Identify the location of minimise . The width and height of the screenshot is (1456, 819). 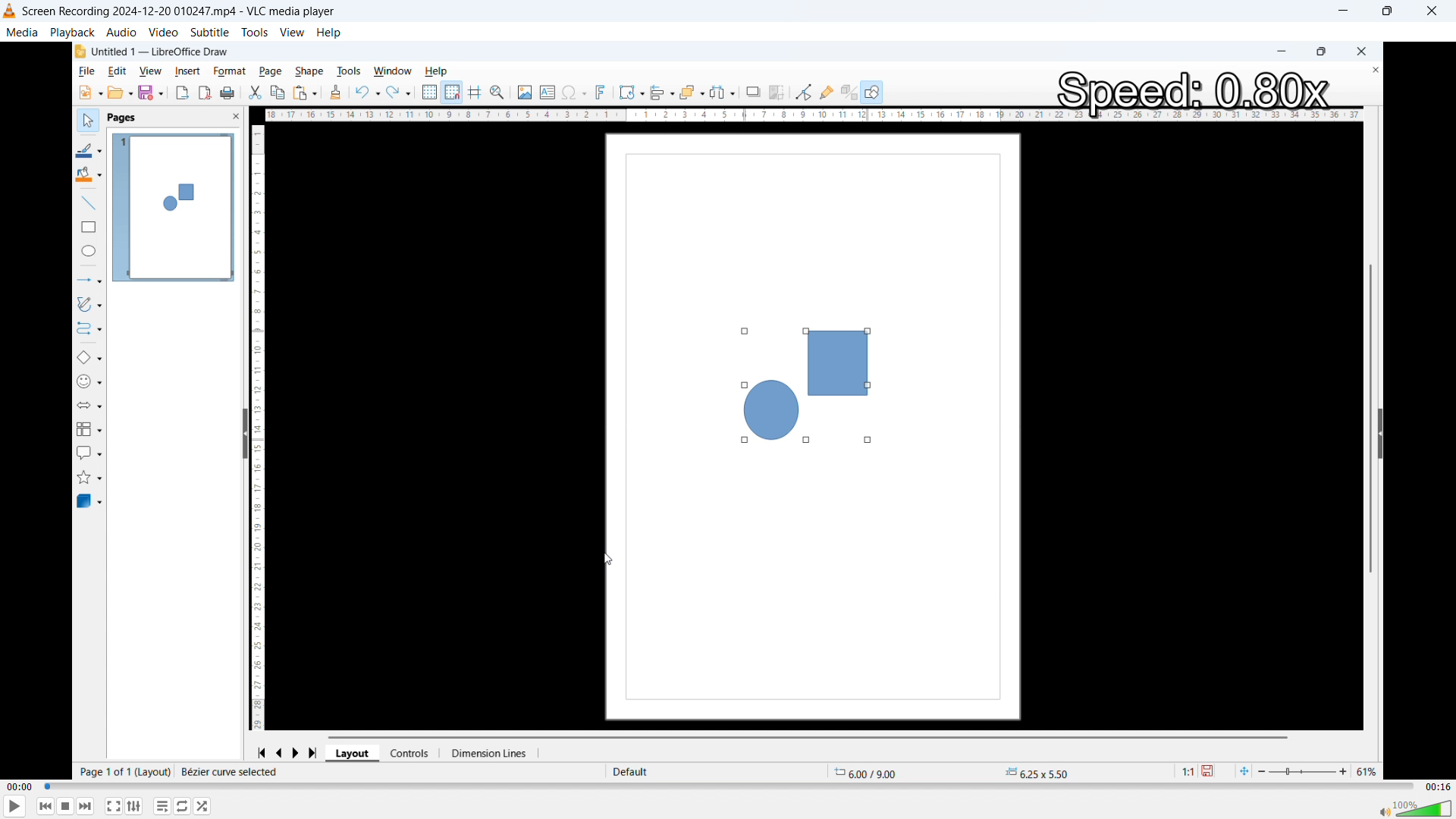
(1347, 11).